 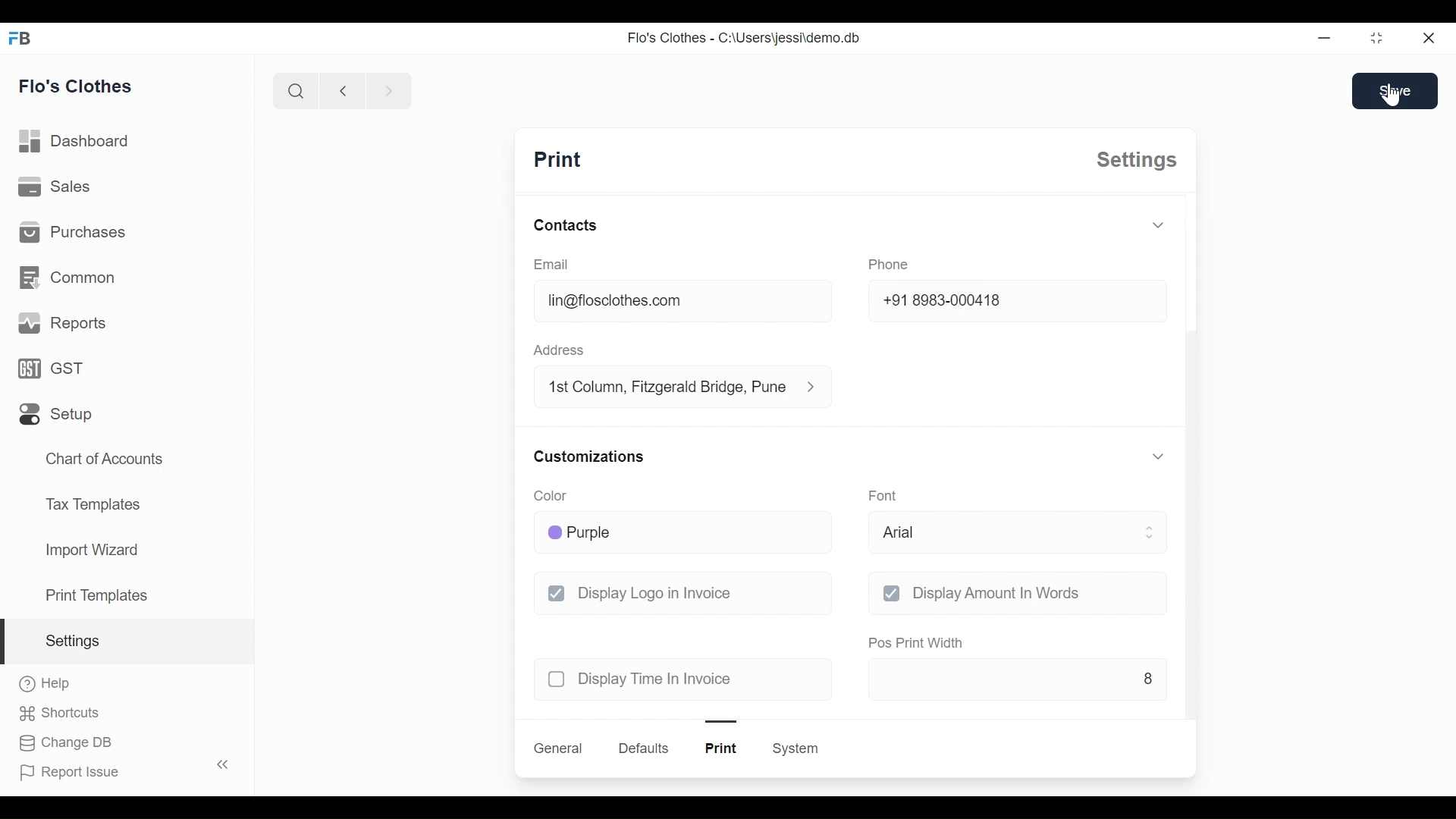 I want to click on checkbox, so click(x=557, y=679).